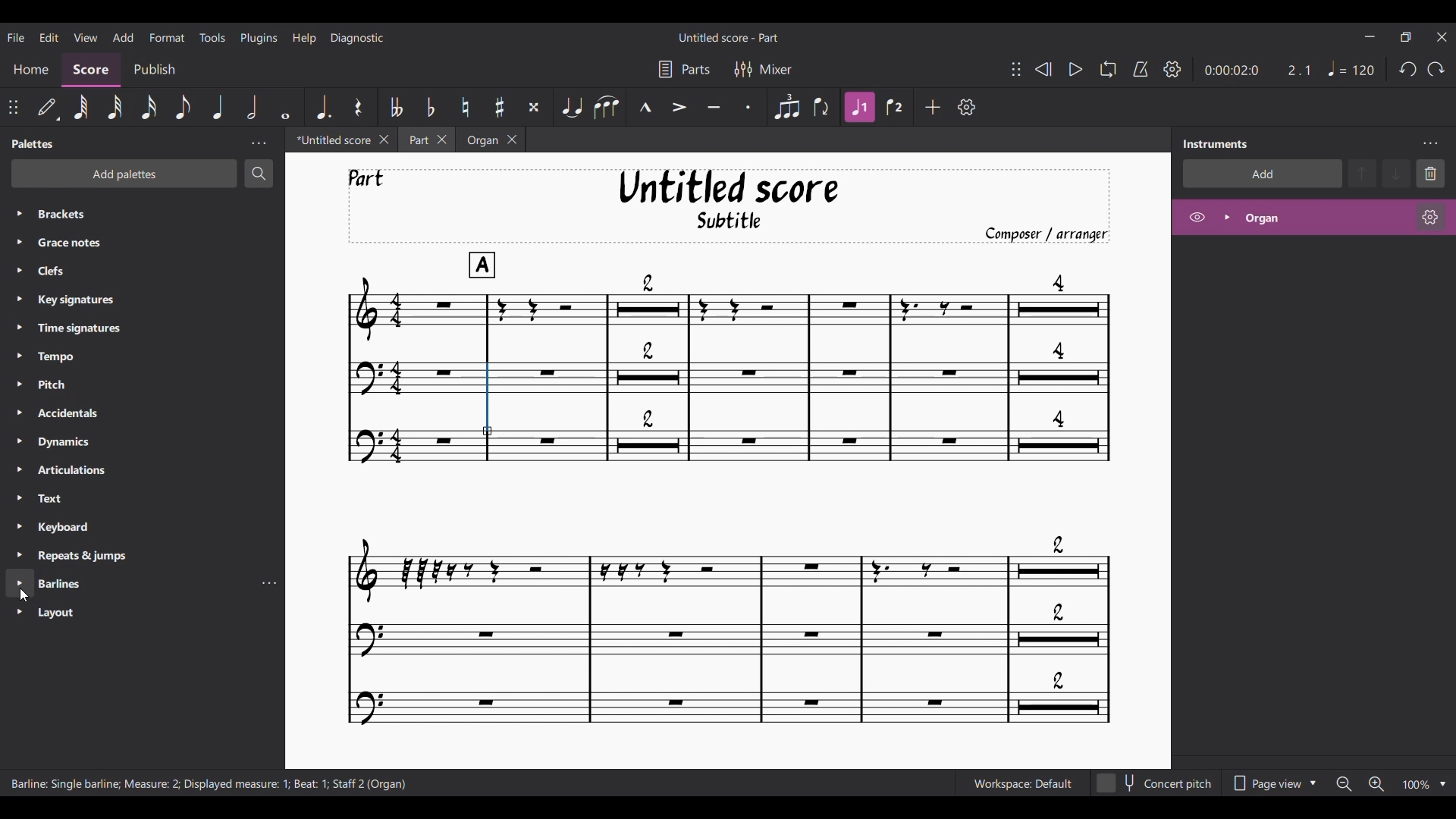  What do you see at coordinates (181, 107) in the screenshot?
I see `8th note` at bounding box center [181, 107].